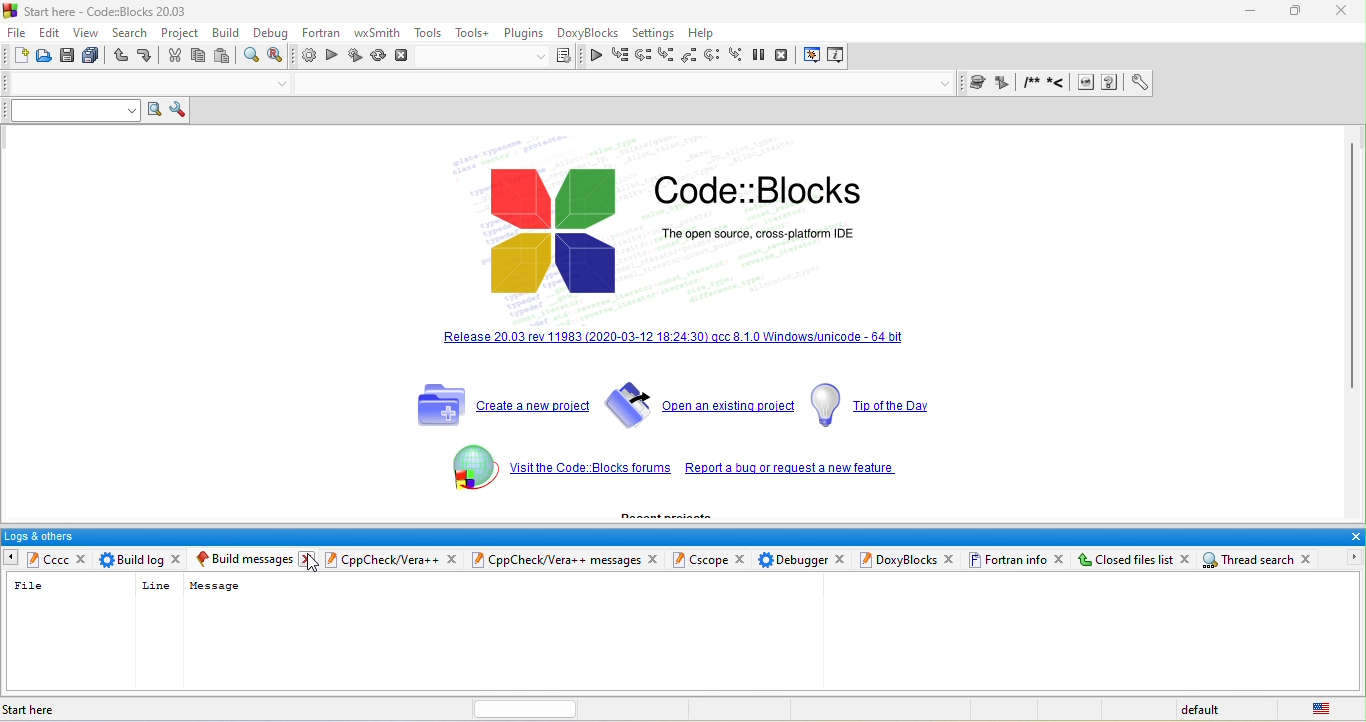  I want to click on undo, so click(122, 56).